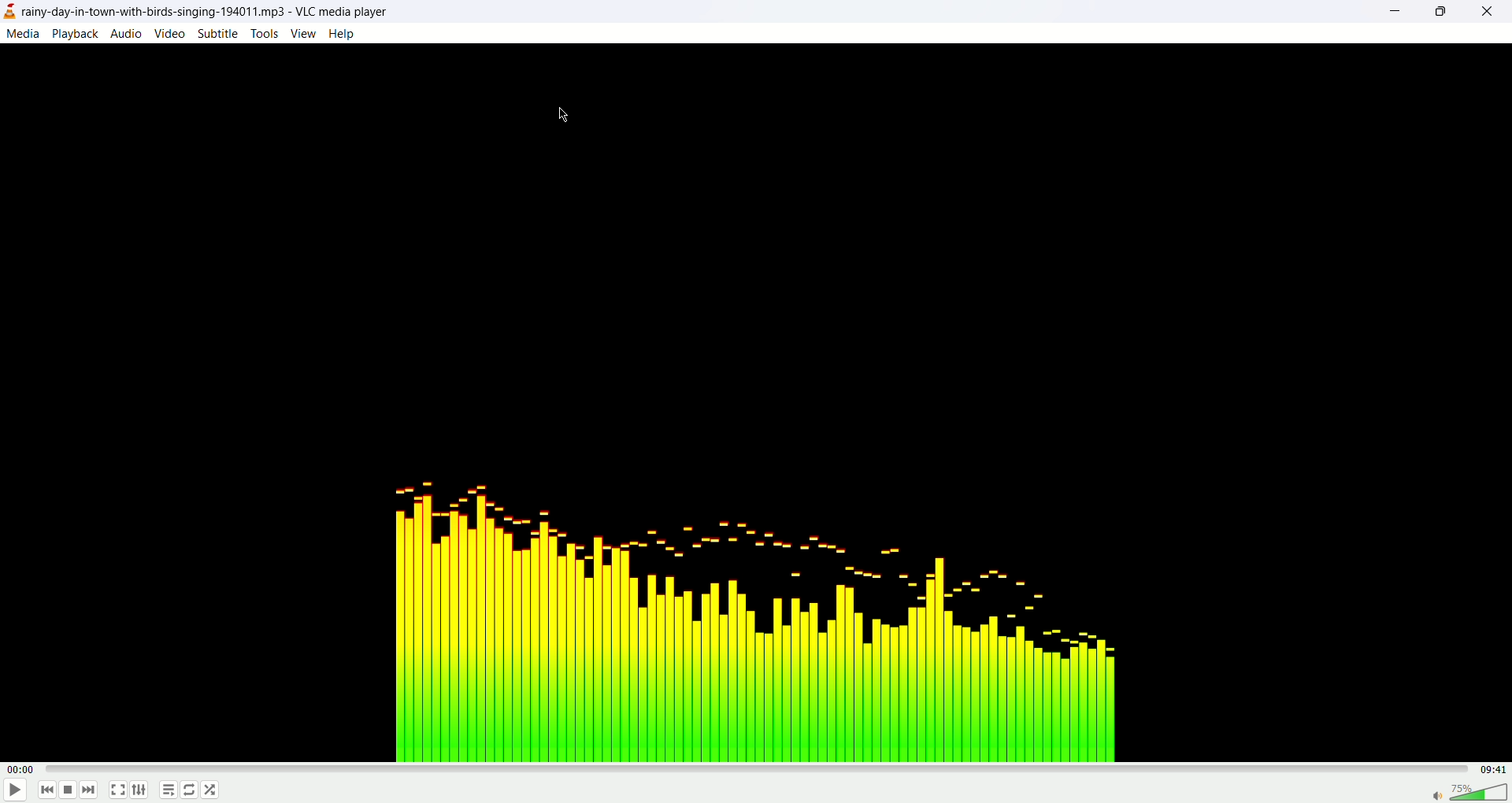 This screenshot has height=803, width=1512. What do you see at coordinates (46, 792) in the screenshot?
I see `previous` at bounding box center [46, 792].